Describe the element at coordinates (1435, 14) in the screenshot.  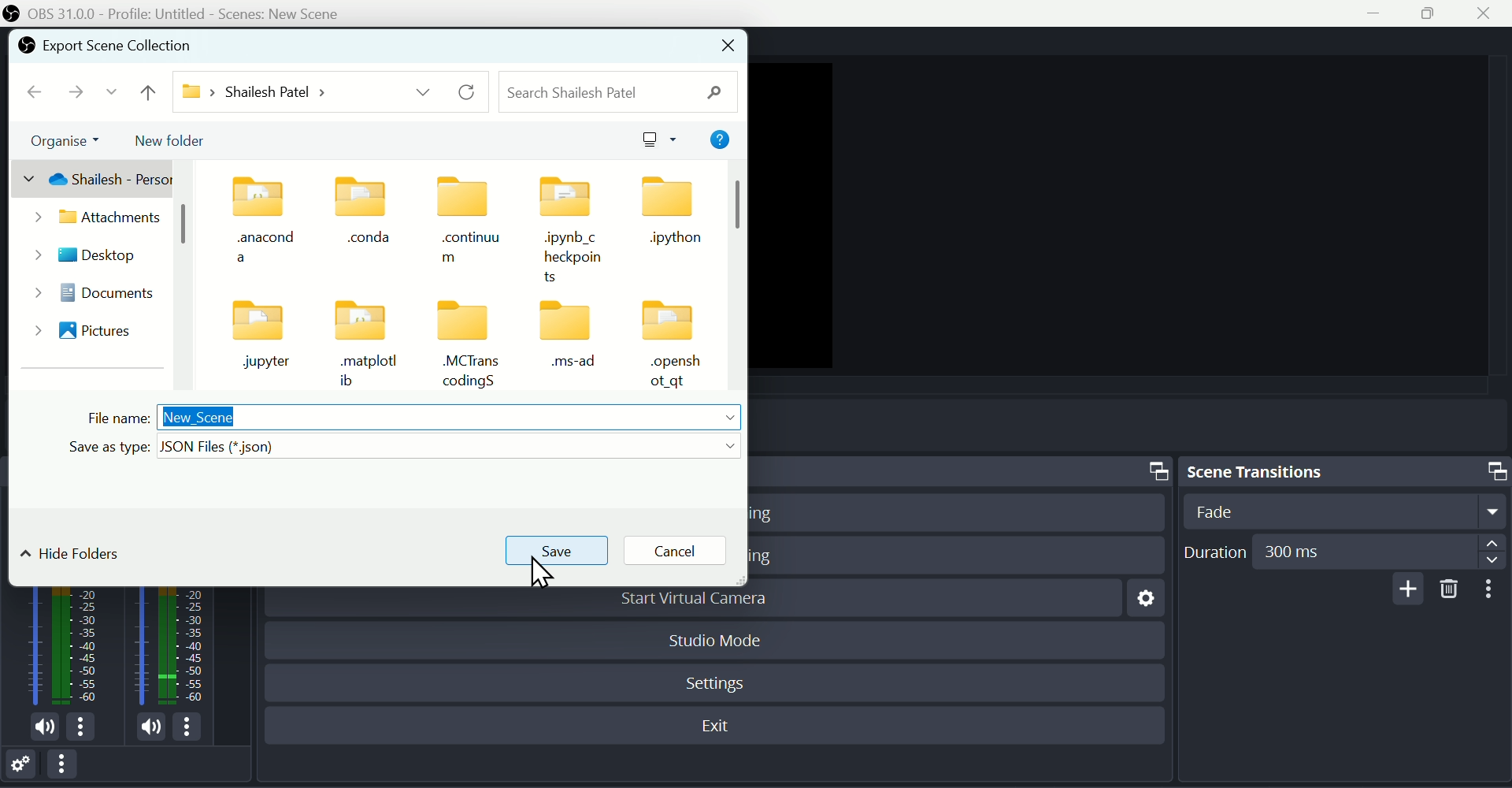
I see `maximise` at that location.